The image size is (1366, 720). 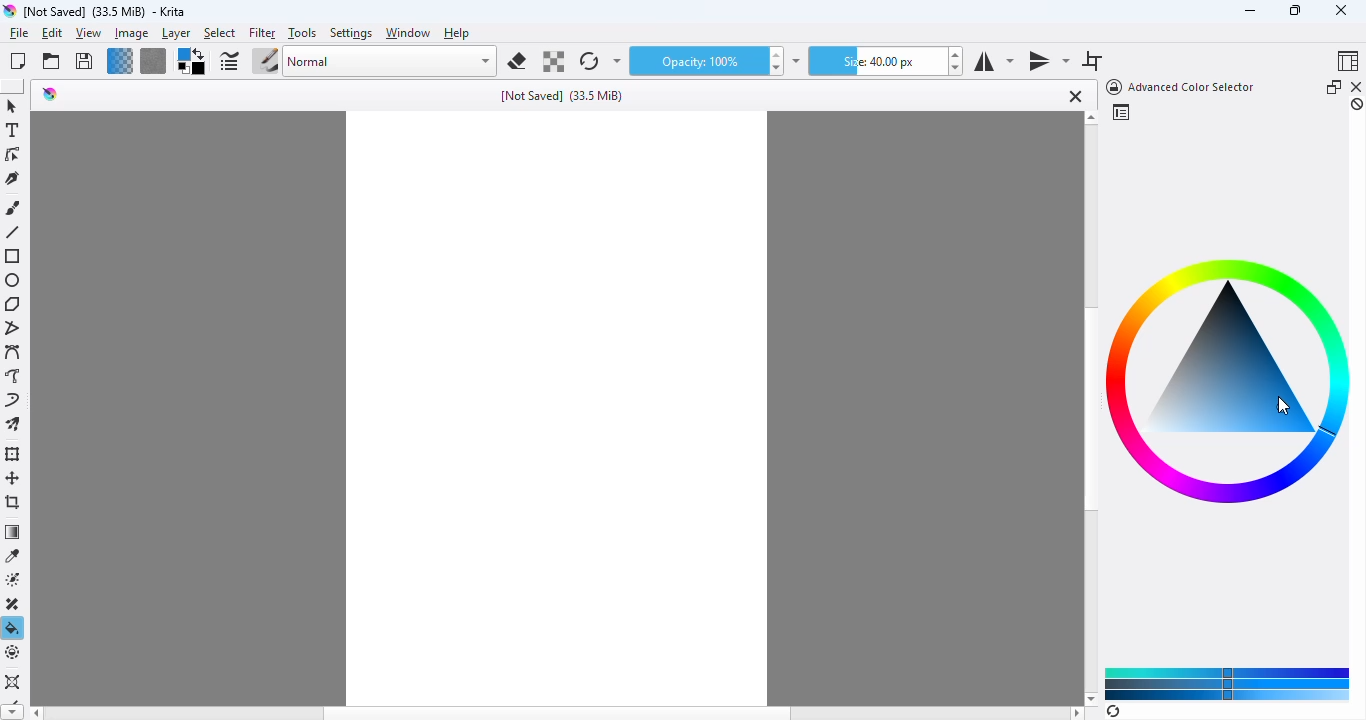 I want to click on set eraser mode, so click(x=517, y=61).